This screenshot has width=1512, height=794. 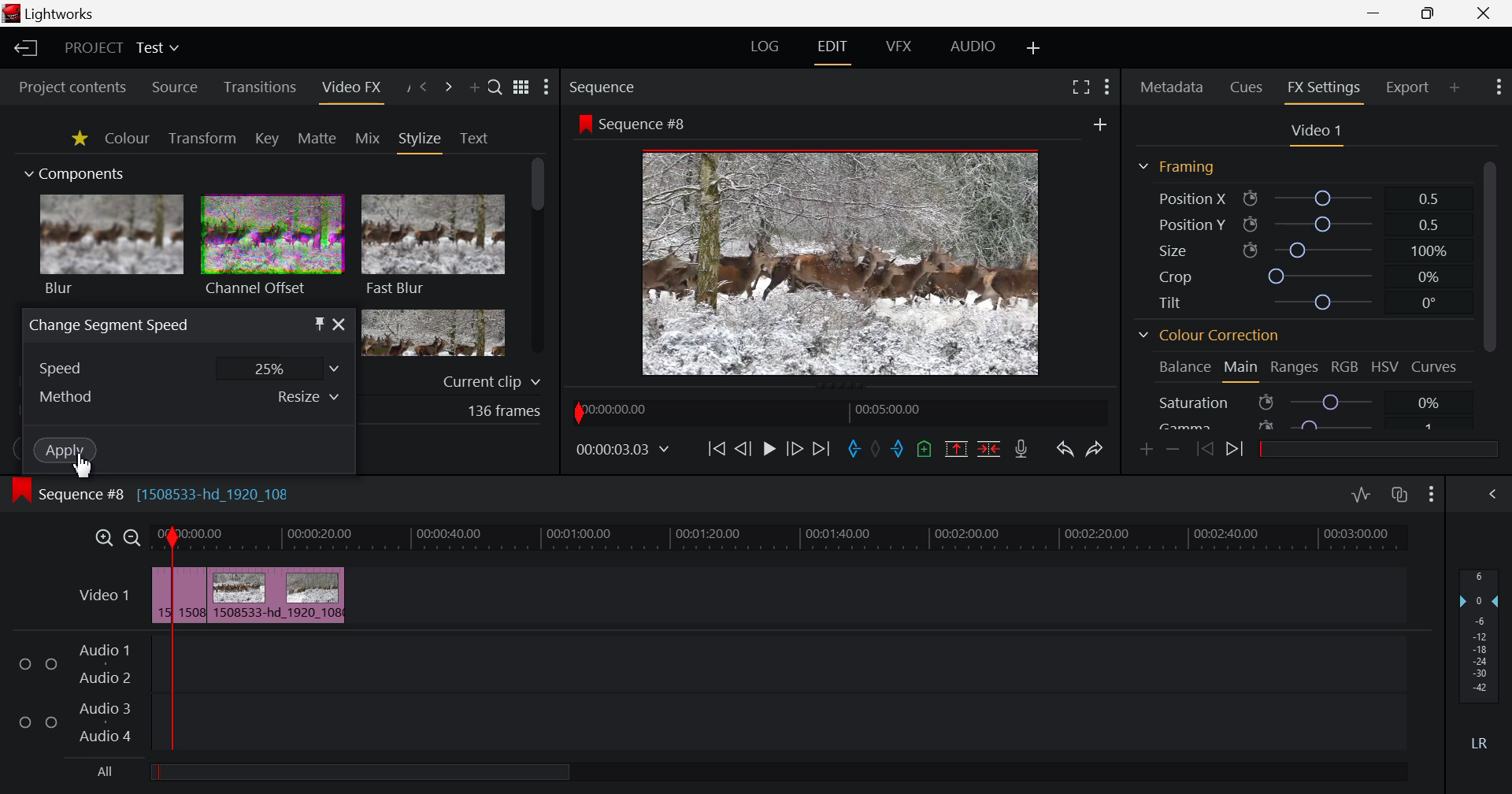 I want to click on Show Settings, so click(x=1497, y=89).